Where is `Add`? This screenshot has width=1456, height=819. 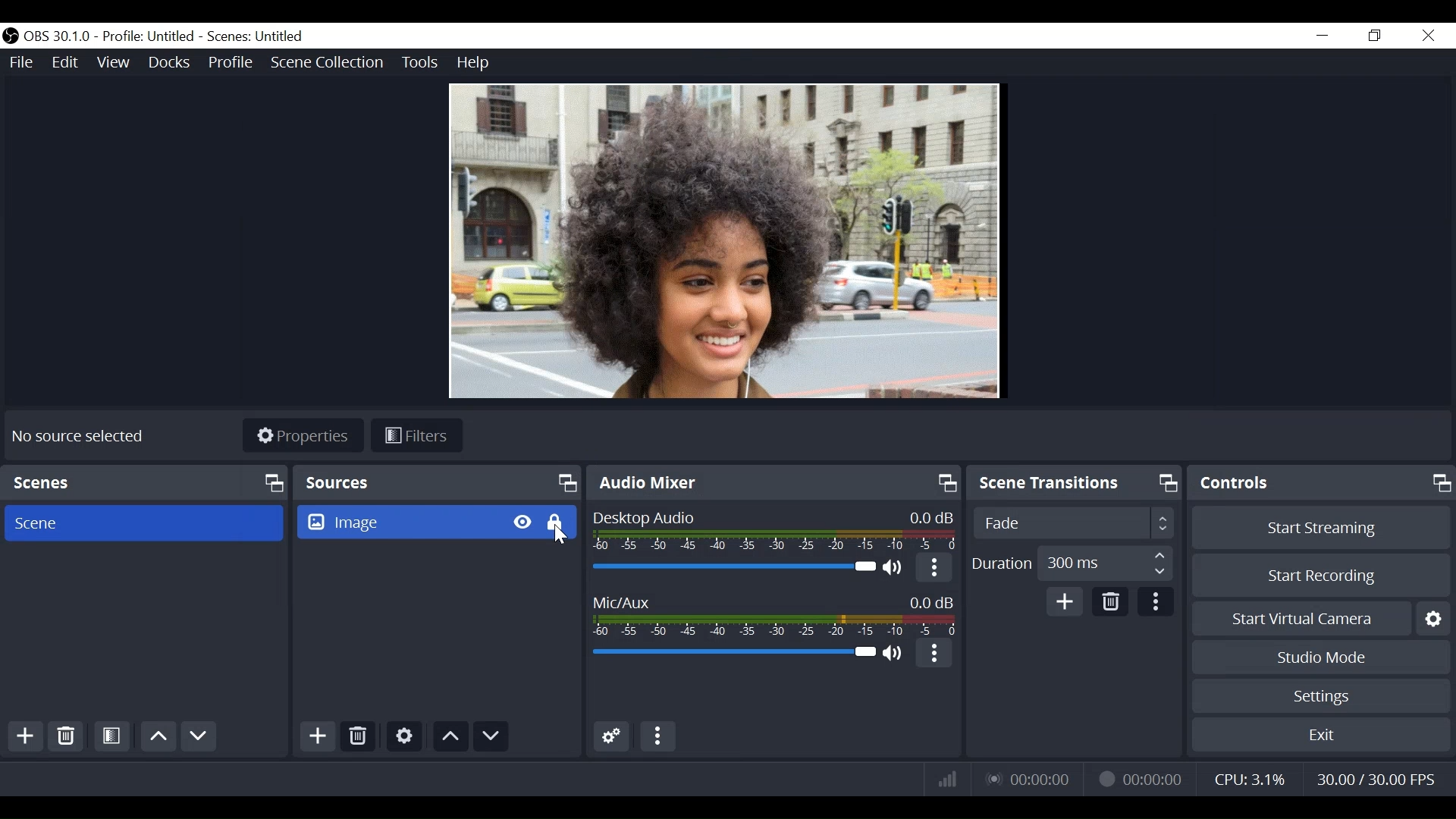 Add is located at coordinates (26, 738).